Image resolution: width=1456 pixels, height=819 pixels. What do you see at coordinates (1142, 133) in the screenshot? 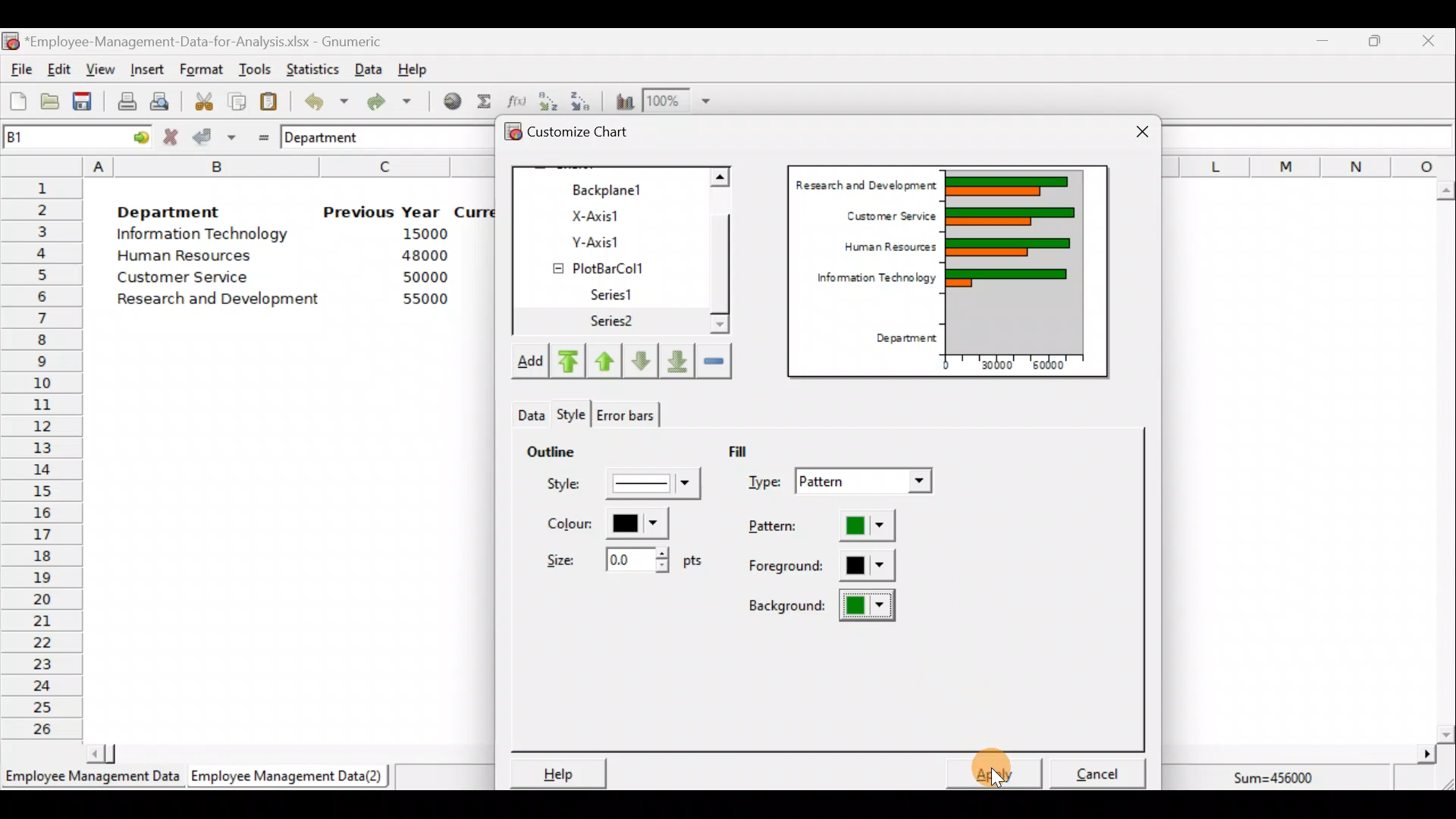
I see `Close` at bounding box center [1142, 133].